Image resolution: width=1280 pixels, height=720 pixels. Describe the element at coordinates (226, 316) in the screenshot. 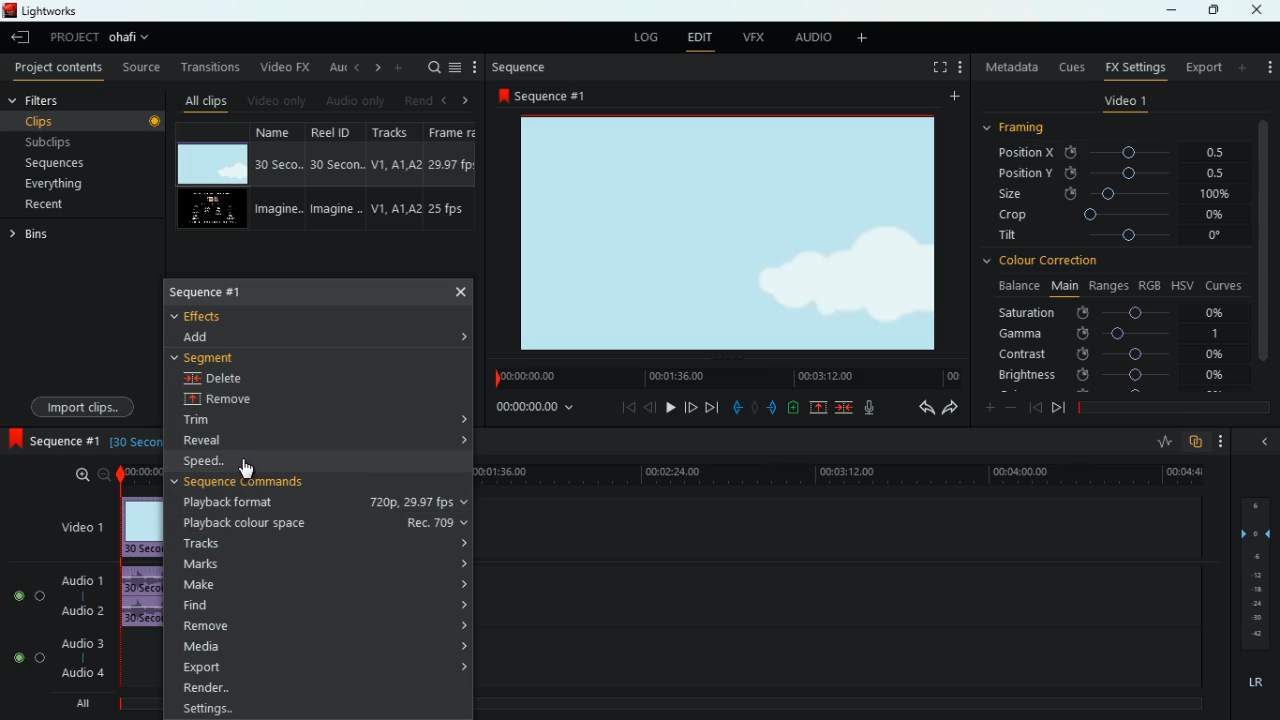

I see `effects` at that location.